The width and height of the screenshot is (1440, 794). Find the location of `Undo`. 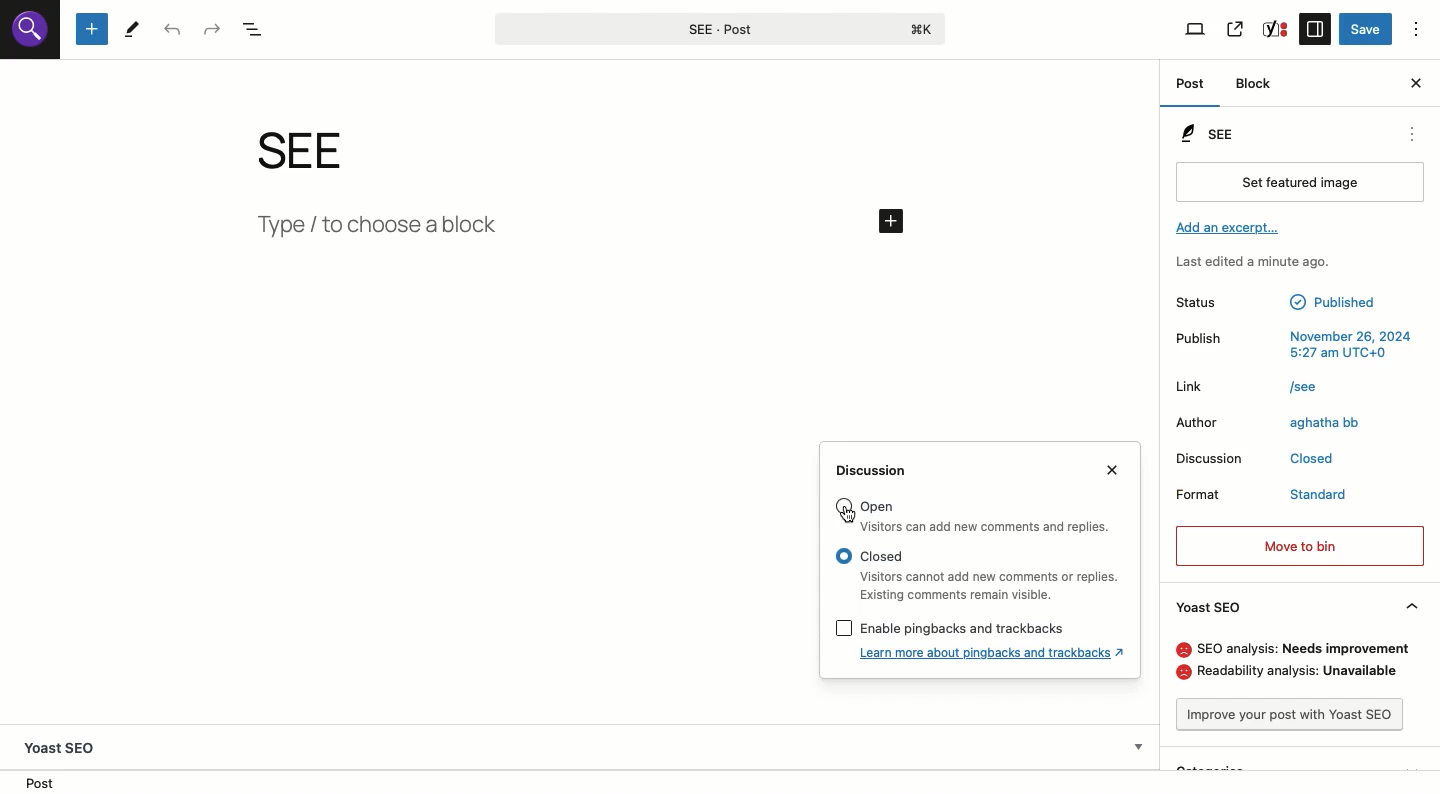

Undo is located at coordinates (174, 30).